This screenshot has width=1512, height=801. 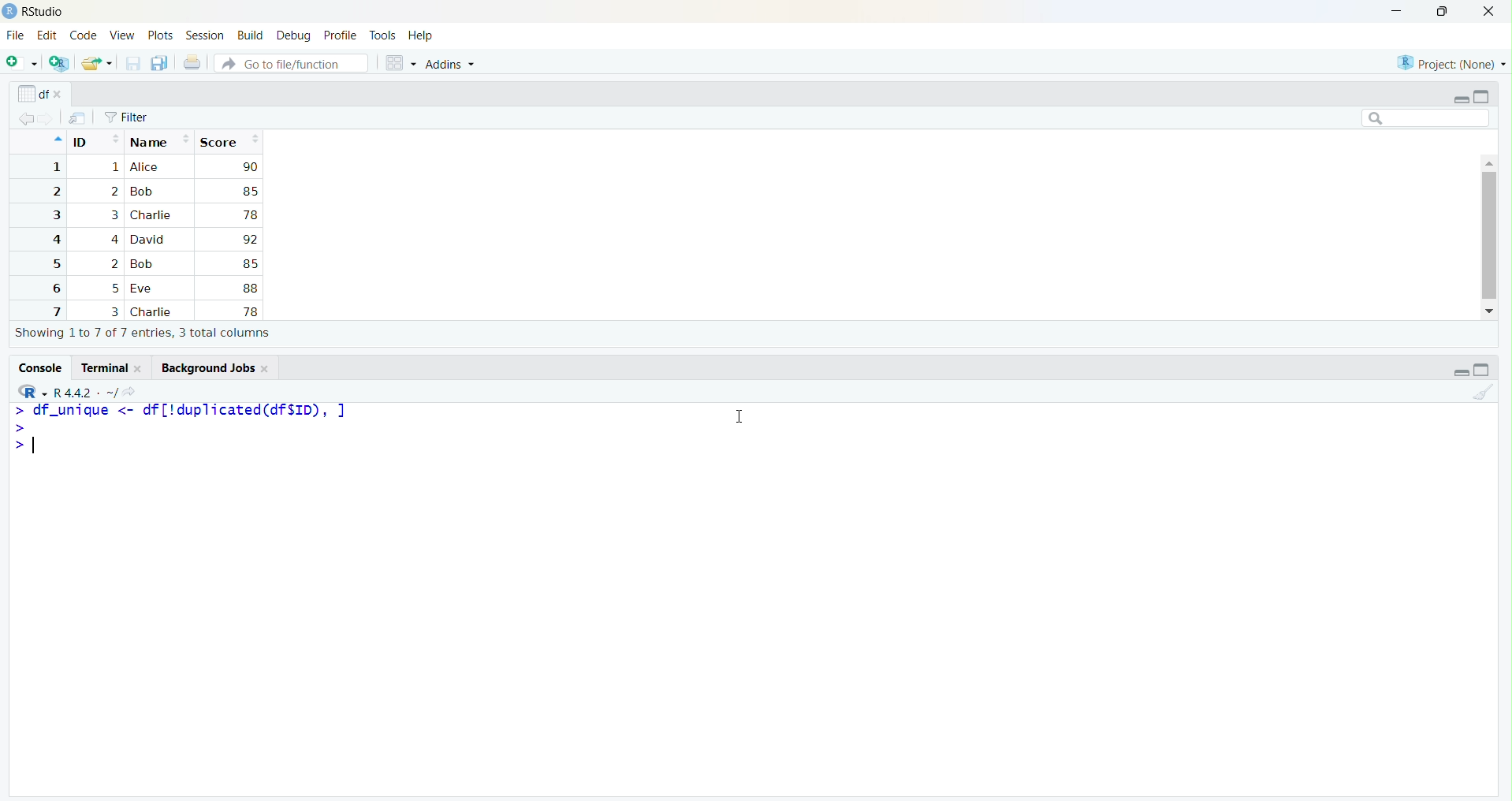 I want to click on clear, so click(x=1482, y=391).